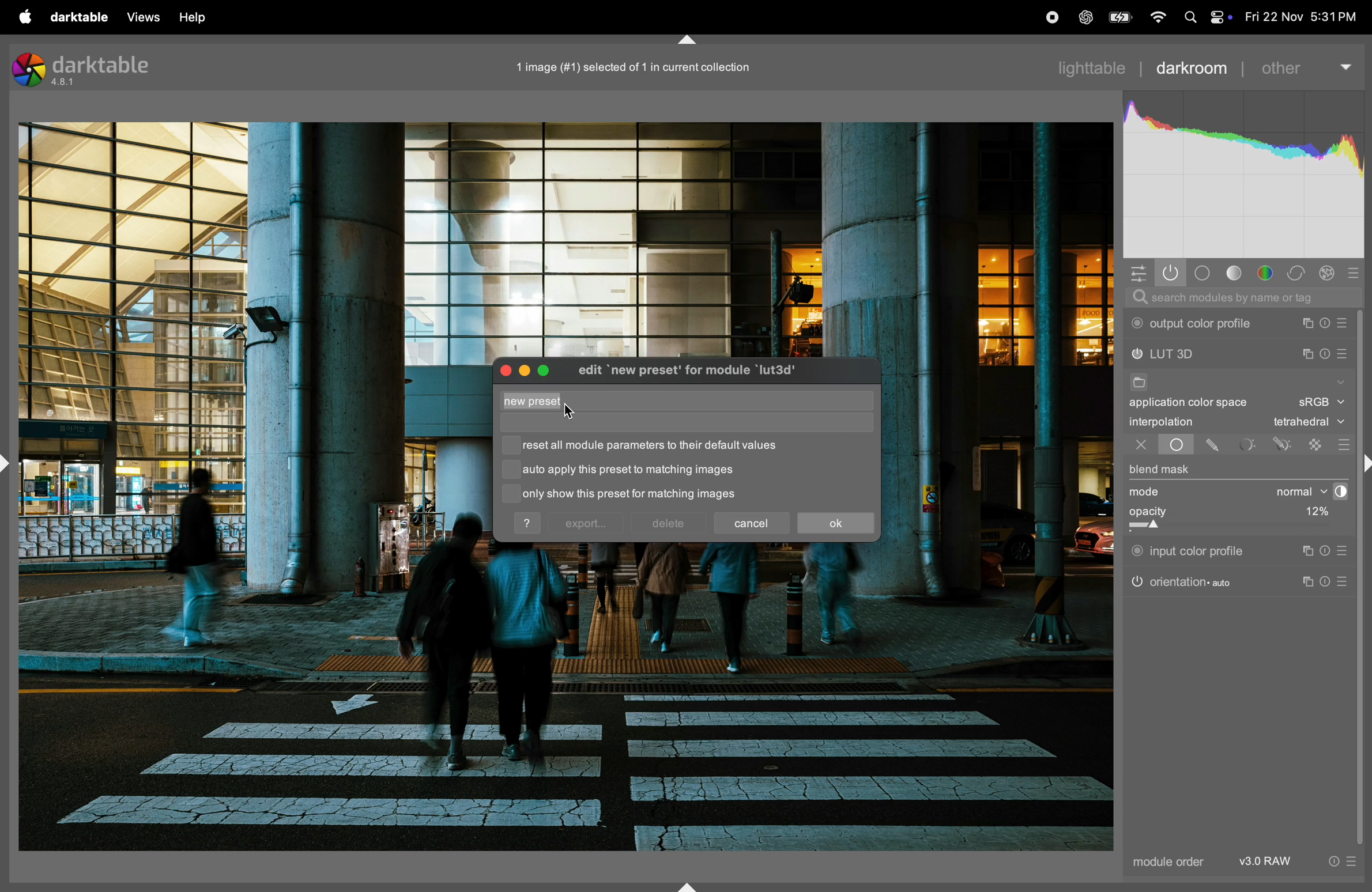  What do you see at coordinates (1314, 513) in the screenshot?
I see `12%` at bounding box center [1314, 513].